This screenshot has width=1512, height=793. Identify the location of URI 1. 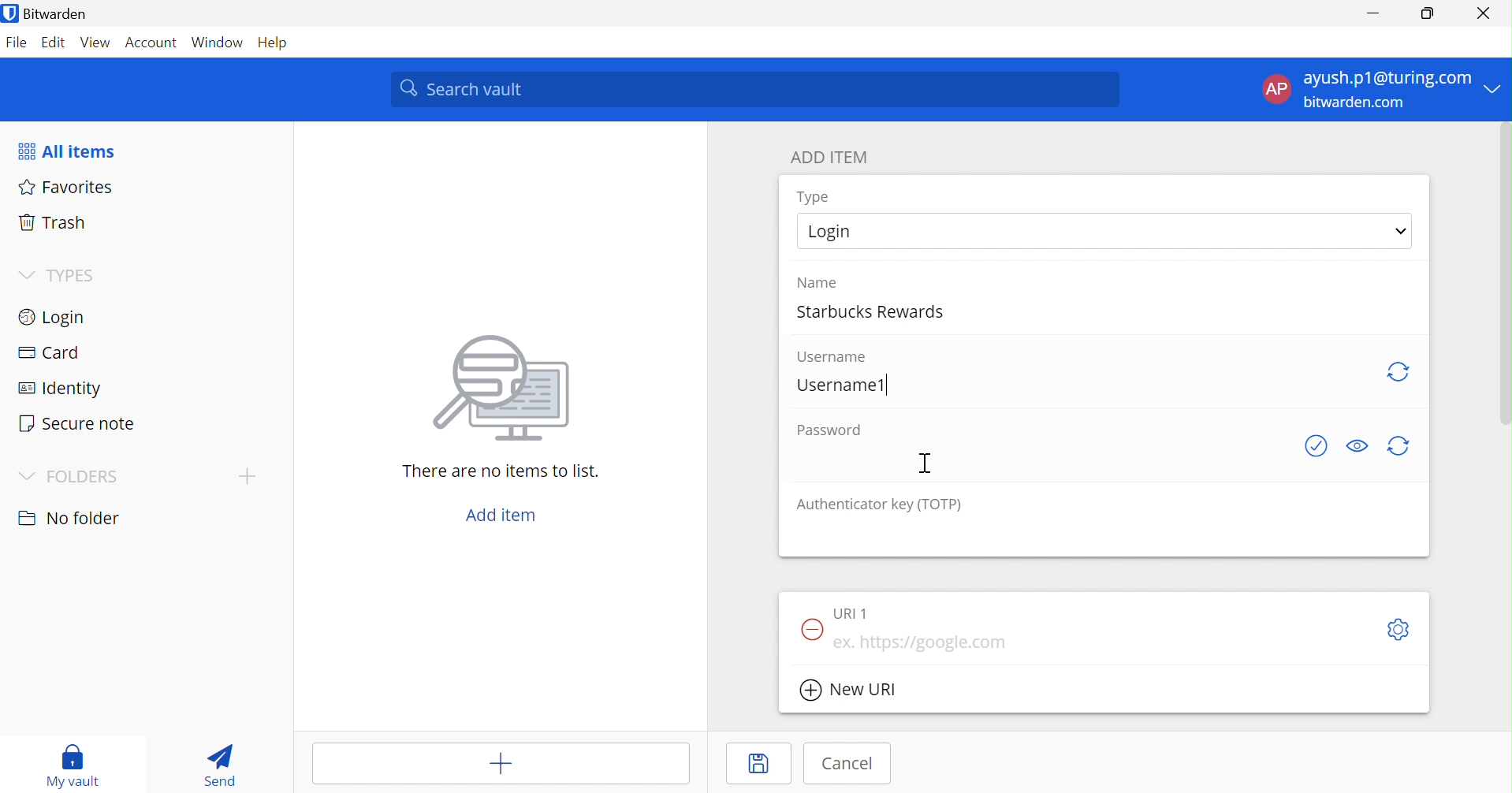
(855, 613).